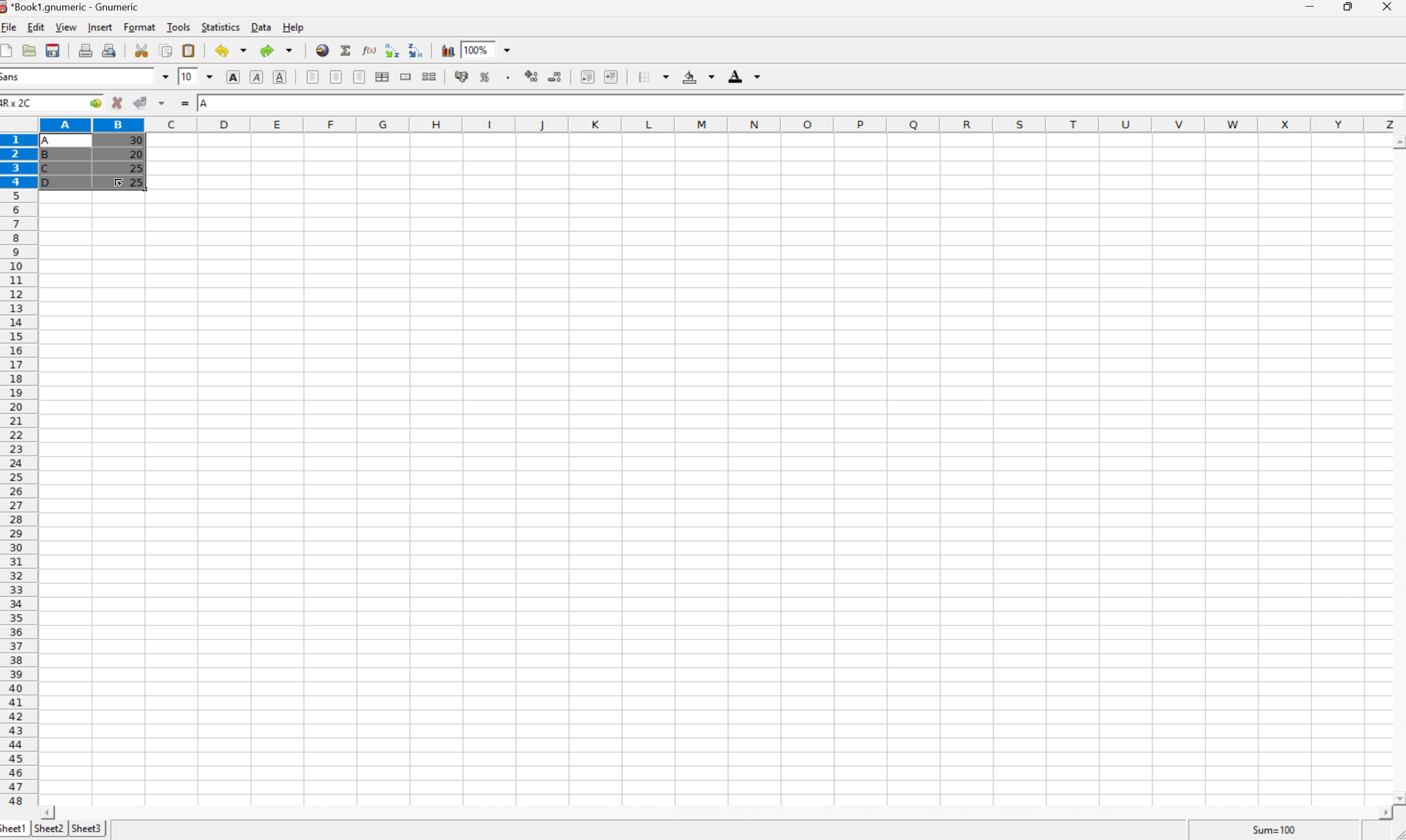  What do you see at coordinates (117, 102) in the screenshot?
I see `Cancel changes` at bounding box center [117, 102].